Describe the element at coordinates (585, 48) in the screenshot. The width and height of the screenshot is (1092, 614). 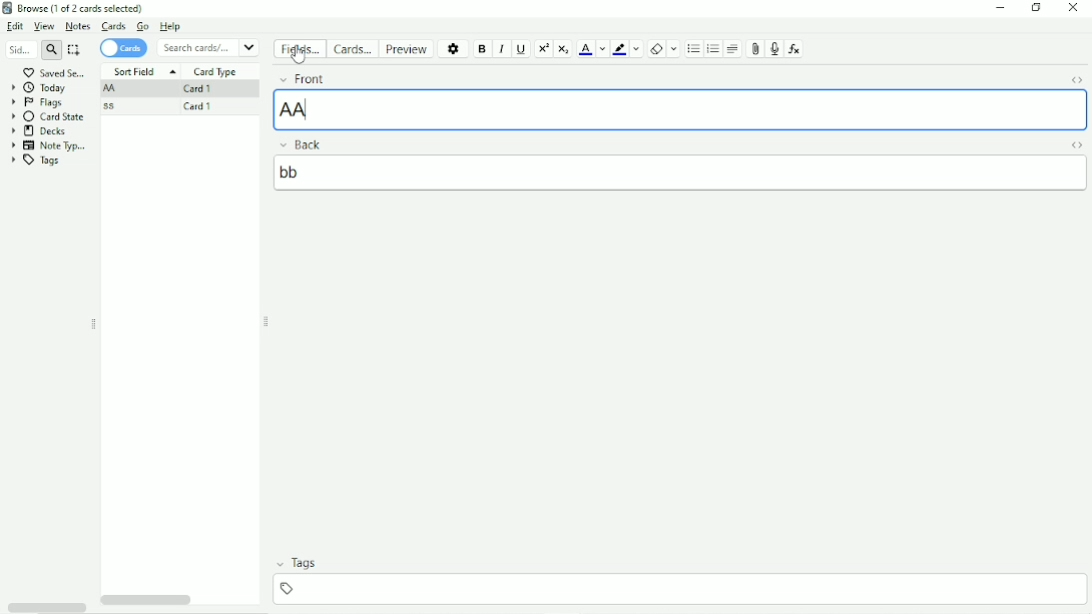
I see `Text color` at that location.